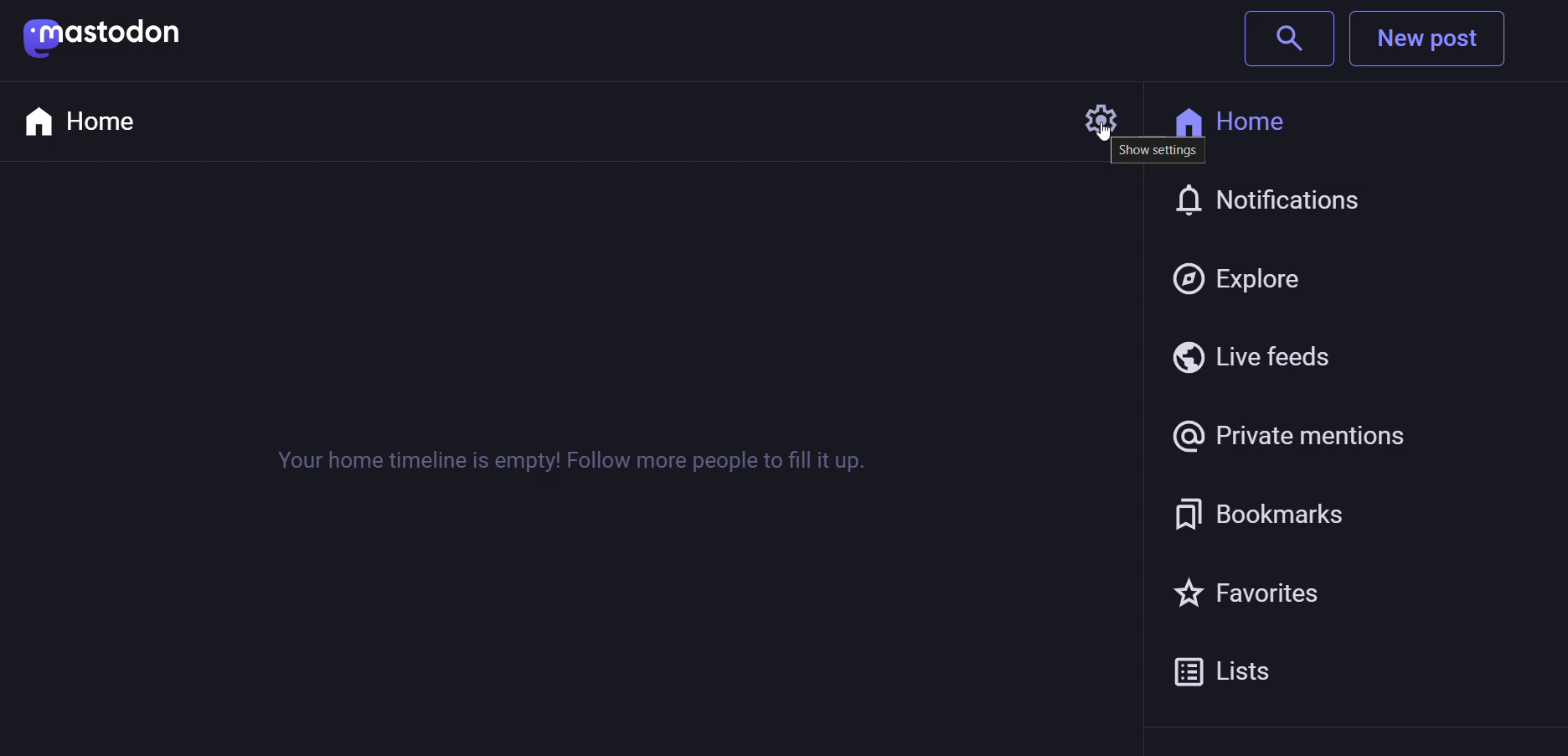 The width and height of the screenshot is (1568, 756). Describe the element at coordinates (1313, 520) in the screenshot. I see `Bookmark` at that location.